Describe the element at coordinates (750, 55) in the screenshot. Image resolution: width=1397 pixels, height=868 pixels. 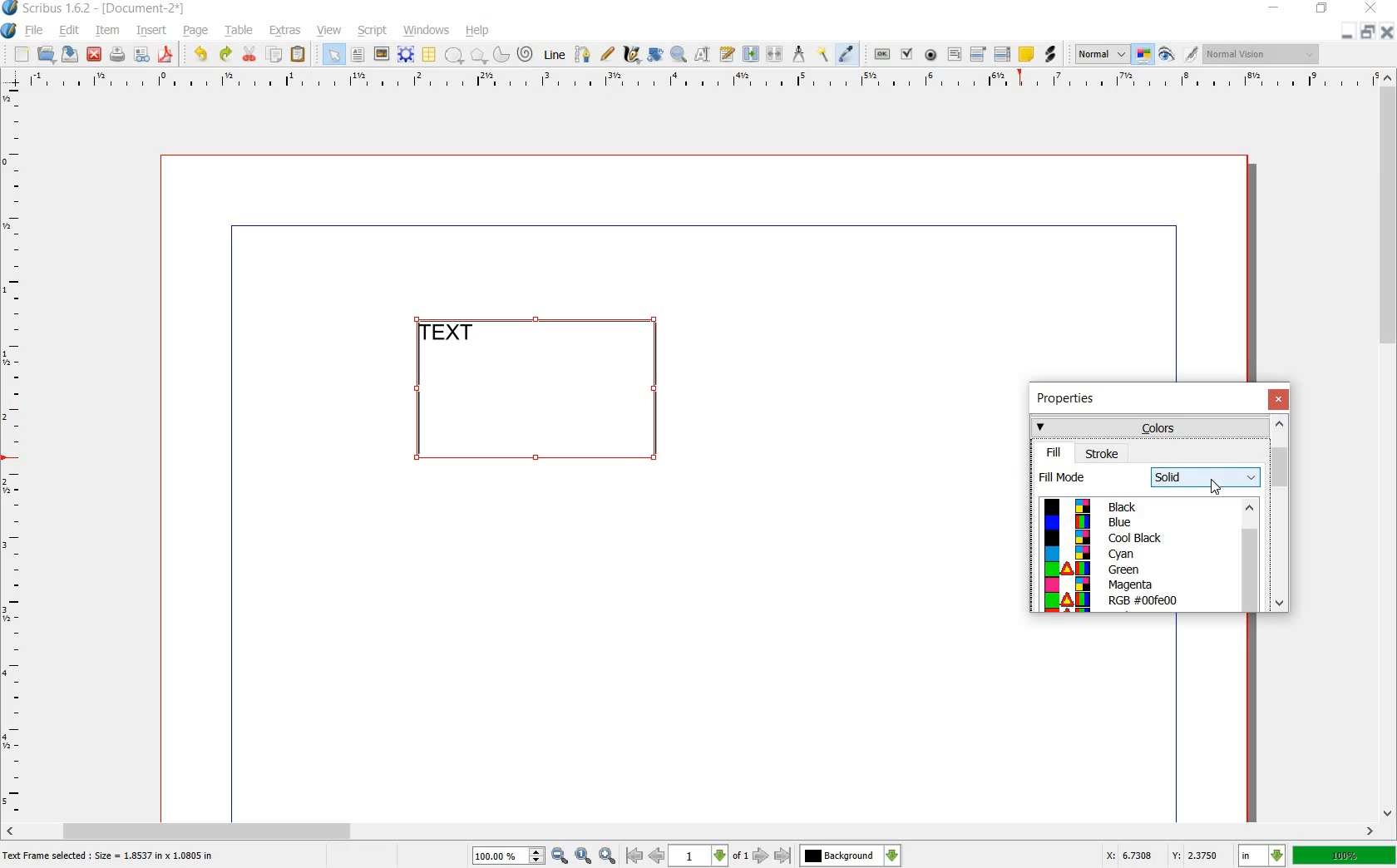
I see `link text frame` at that location.